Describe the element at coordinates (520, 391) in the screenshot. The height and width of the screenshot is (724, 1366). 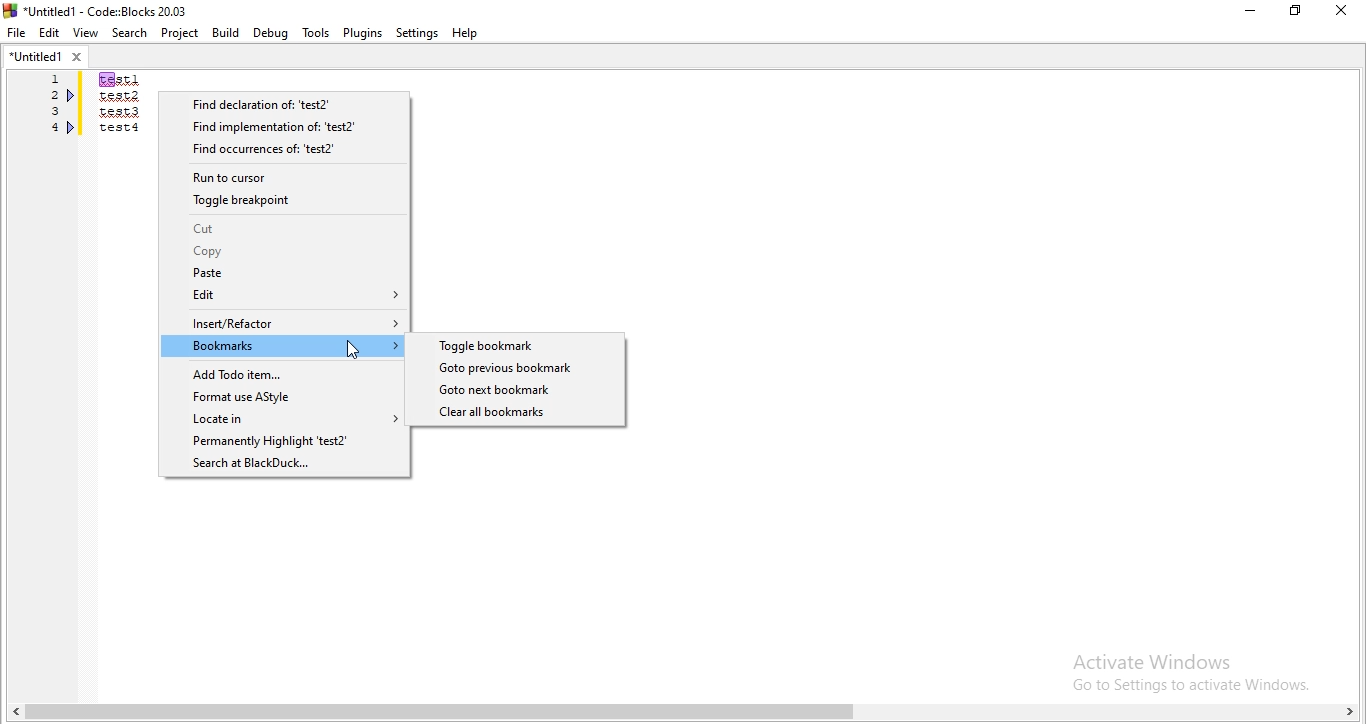
I see `Selected Goto txt bookmark` at that location.